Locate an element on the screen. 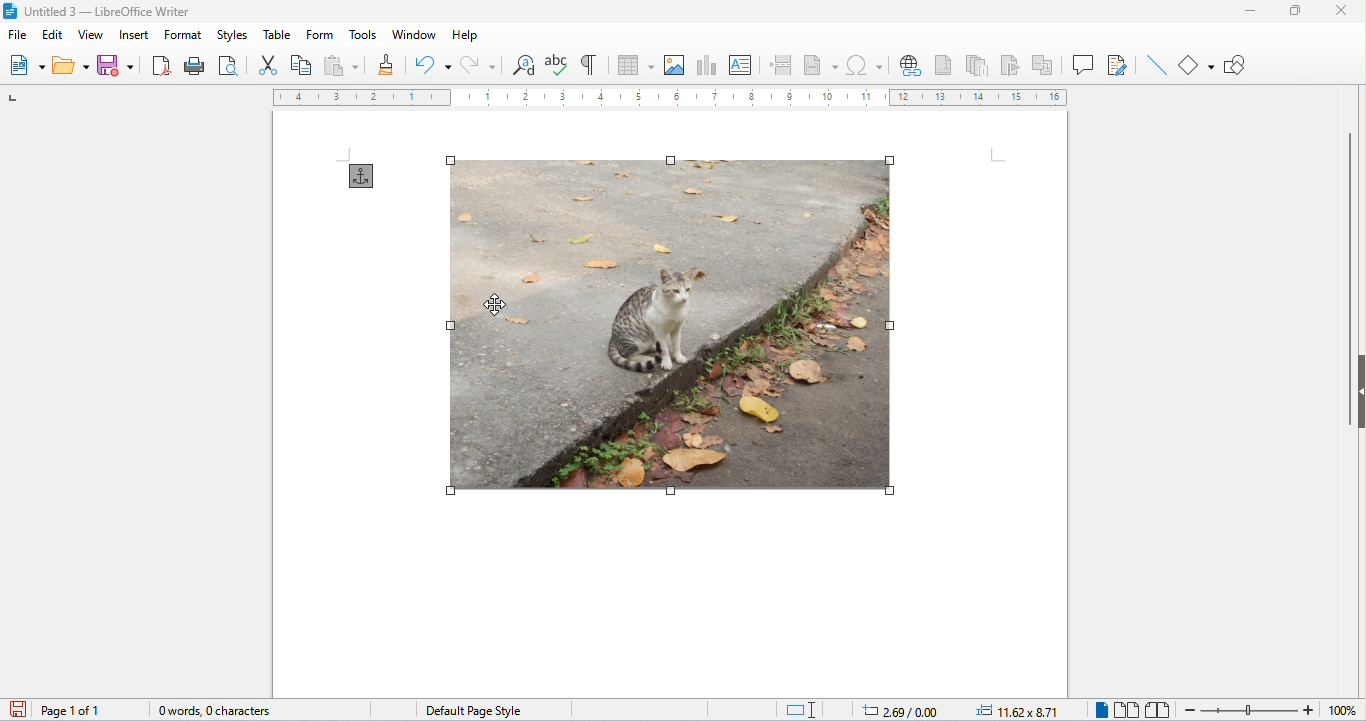 The image size is (1366, 722). format is located at coordinates (183, 35).